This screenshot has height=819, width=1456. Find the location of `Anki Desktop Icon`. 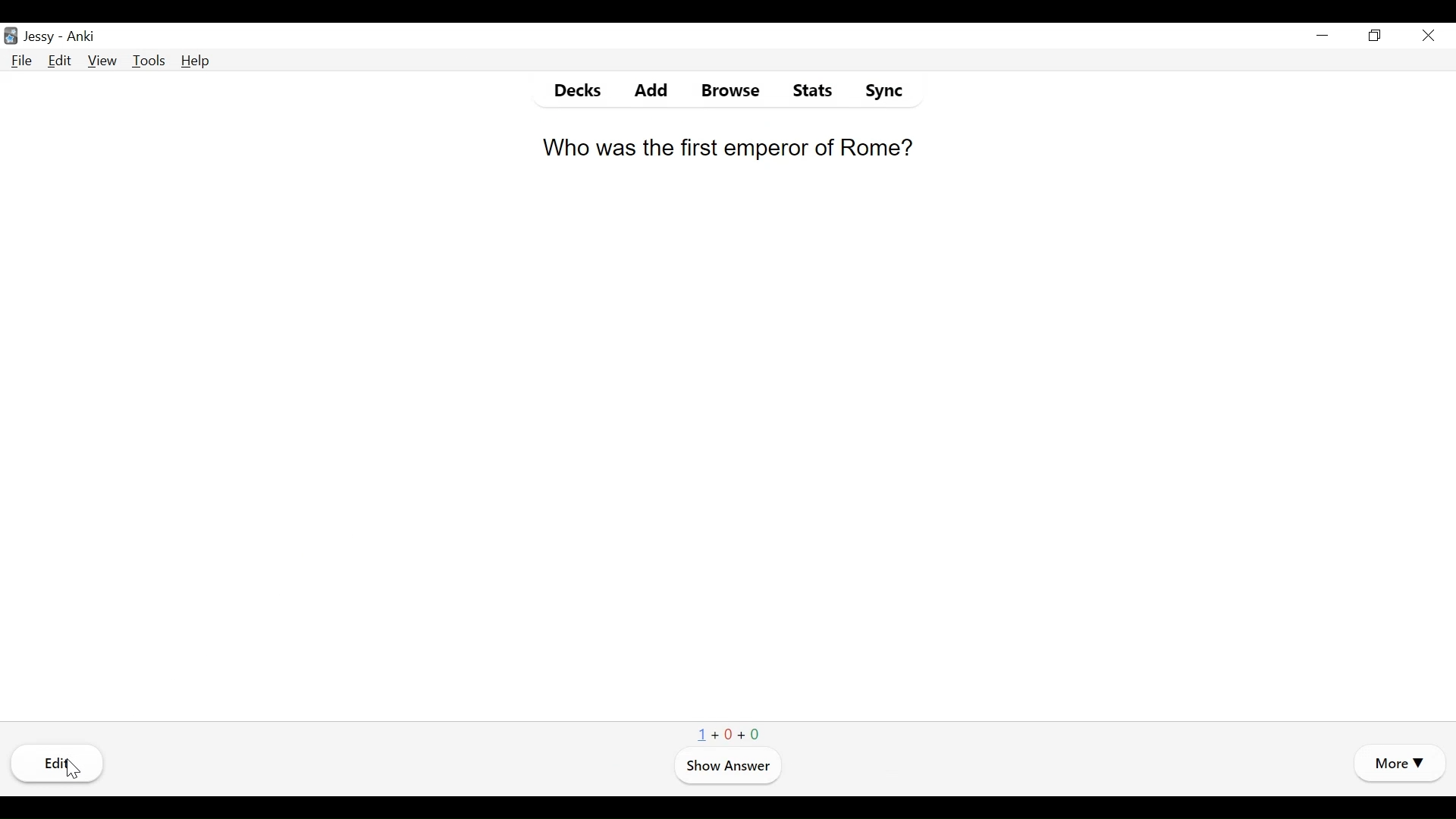

Anki Desktop Icon is located at coordinates (11, 35).